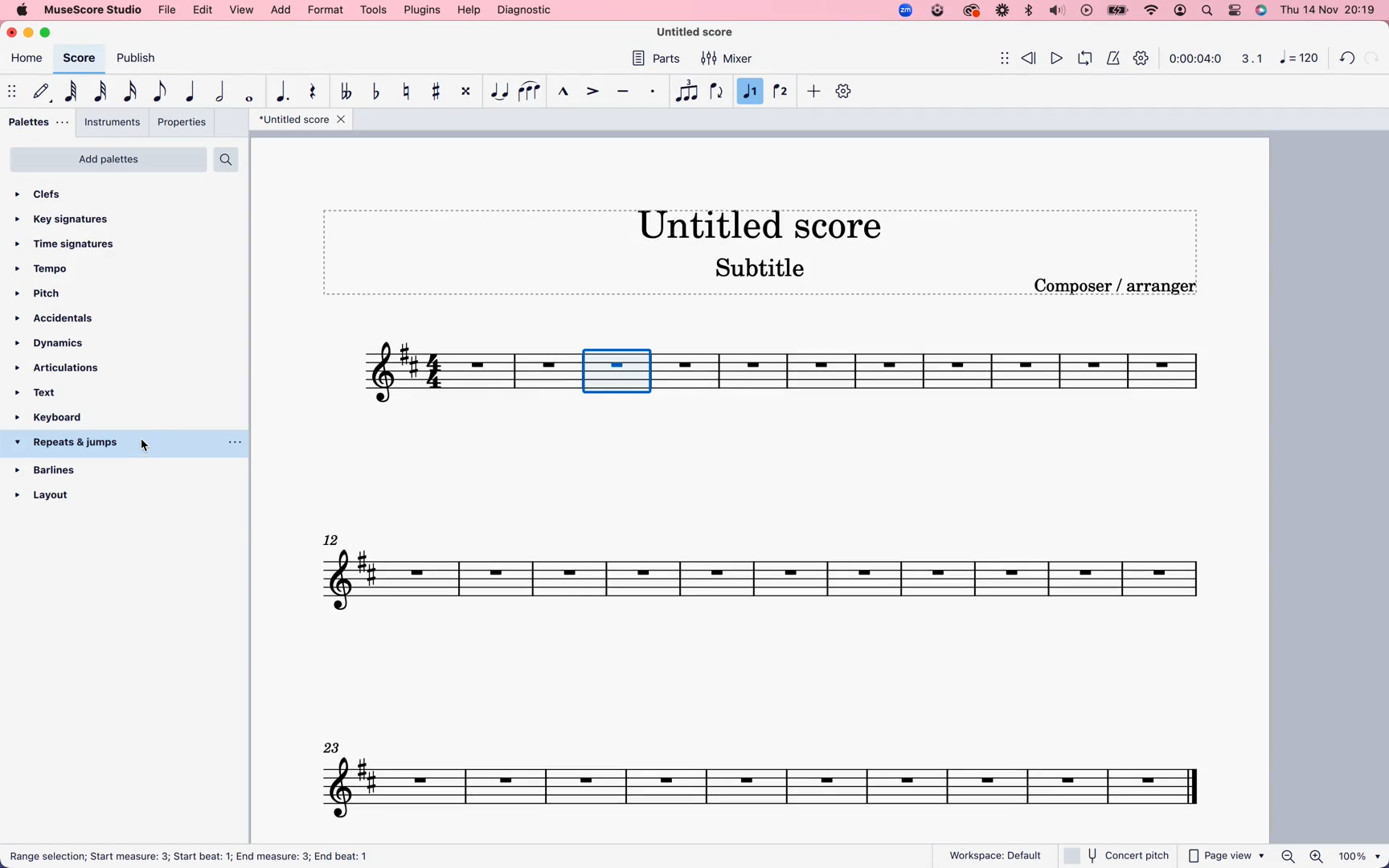 The height and width of the screenshot is (868, 1389). I want to click on whole note, so click(252, 96).